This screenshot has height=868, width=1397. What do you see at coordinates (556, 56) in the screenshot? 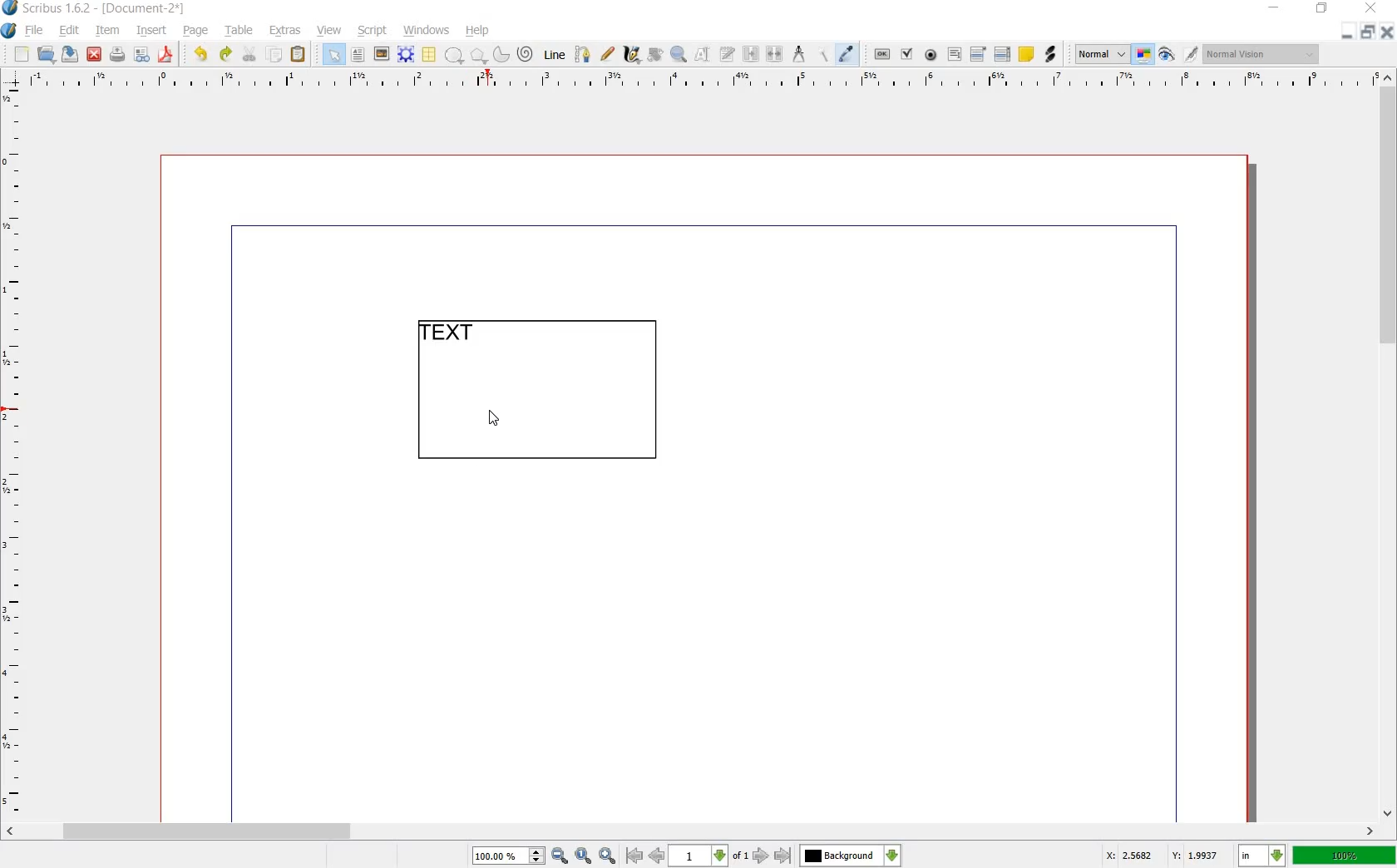
I see `line` at bounding box center [556, 56].